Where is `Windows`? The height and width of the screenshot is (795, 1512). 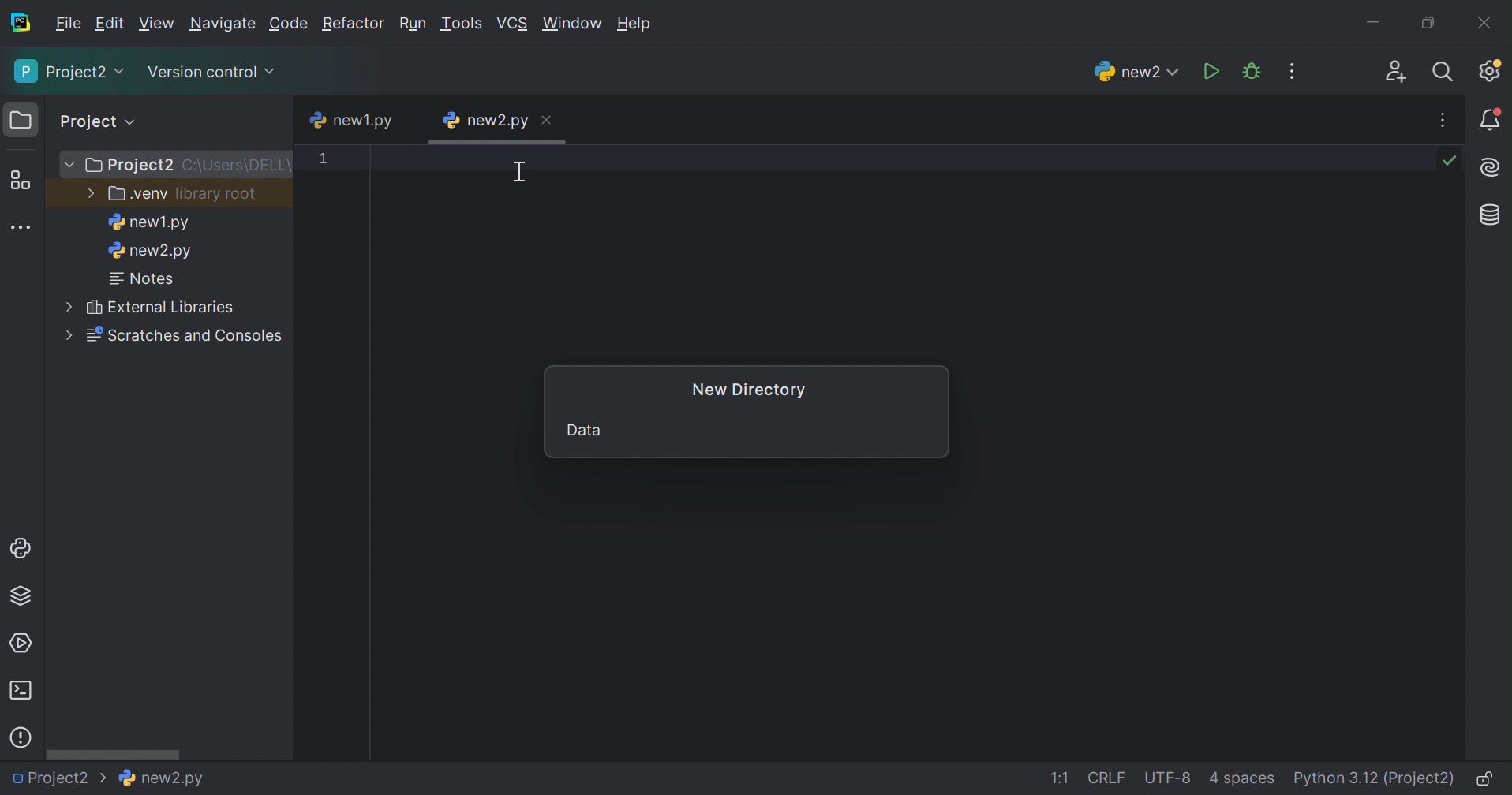
Windows is located at coordinates (574, 24).